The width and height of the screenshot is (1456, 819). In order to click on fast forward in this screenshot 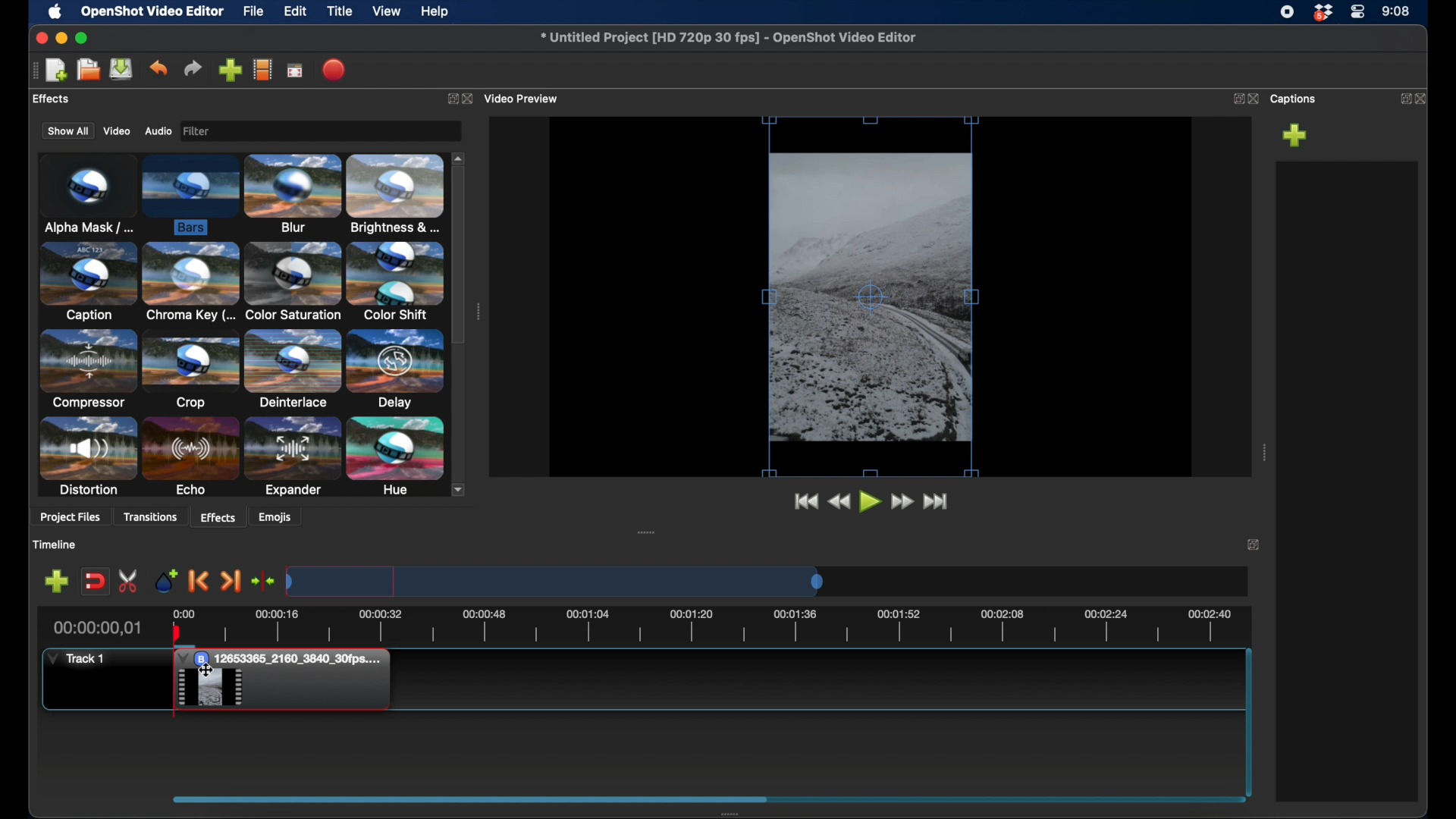, I will do `click(903, 501)`.